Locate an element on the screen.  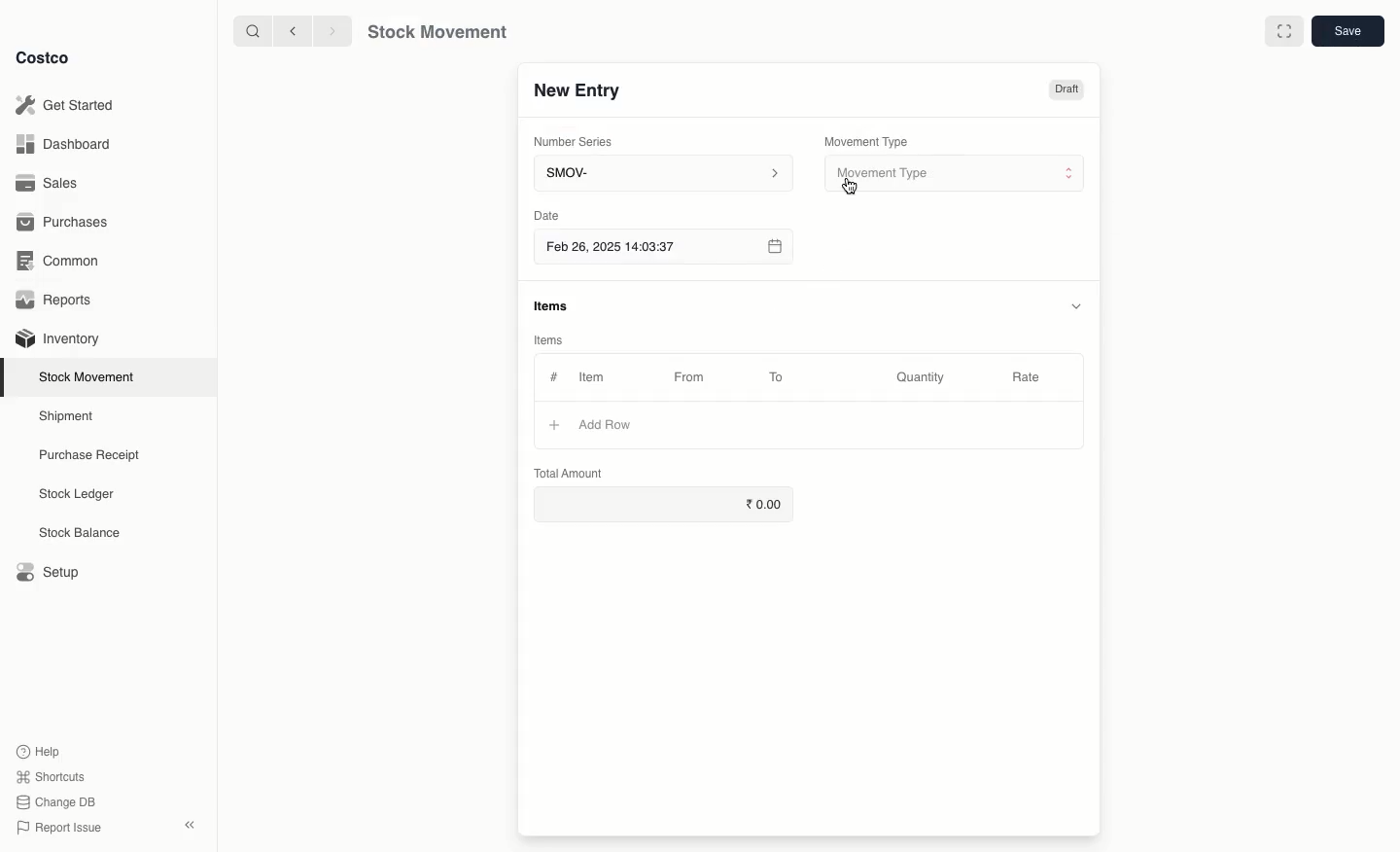
Full width toggle is located at coordinates (1285, 31).